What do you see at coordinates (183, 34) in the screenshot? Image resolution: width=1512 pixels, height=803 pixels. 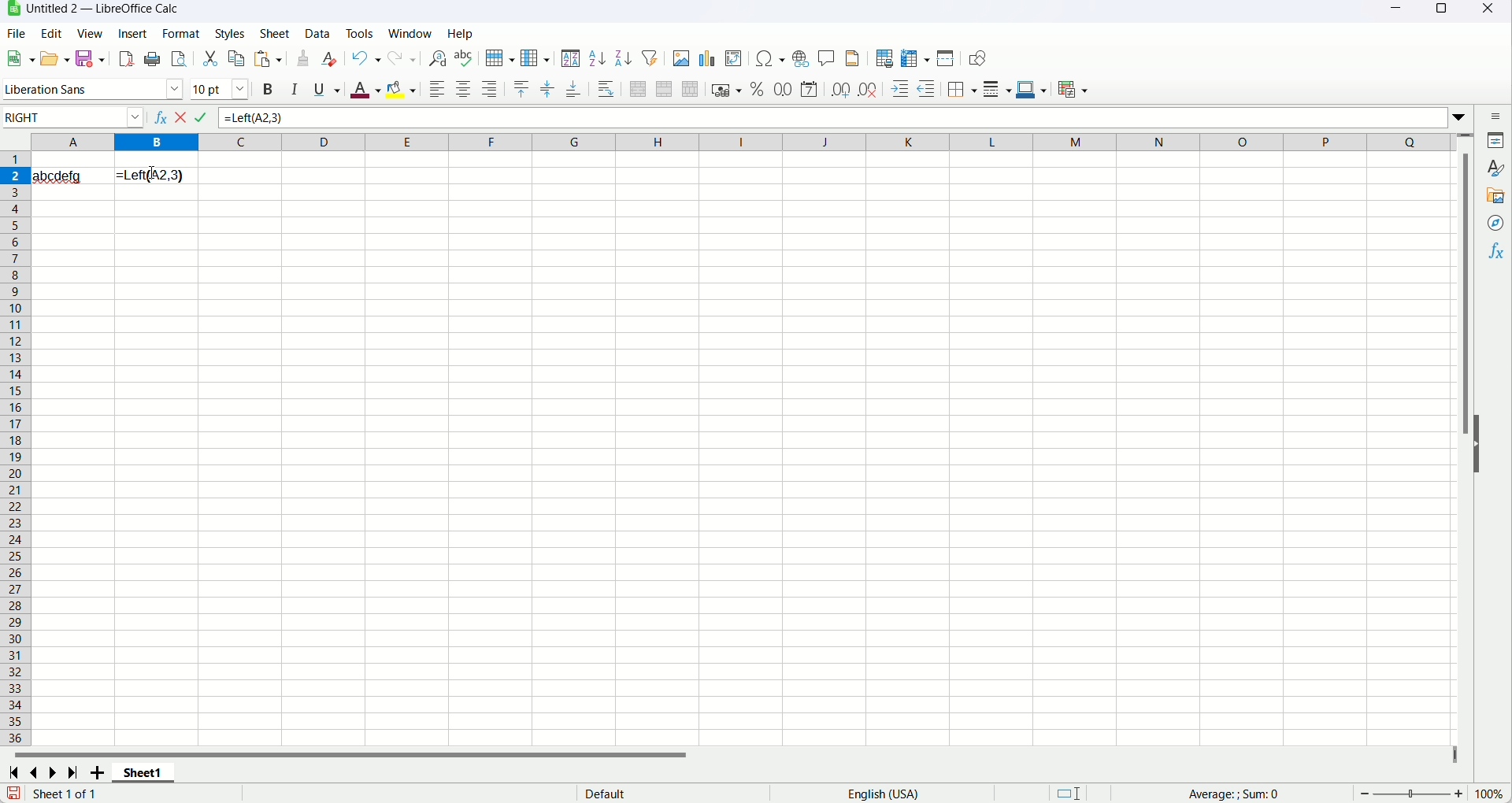 I see `format` at bounding box center [183, 34].